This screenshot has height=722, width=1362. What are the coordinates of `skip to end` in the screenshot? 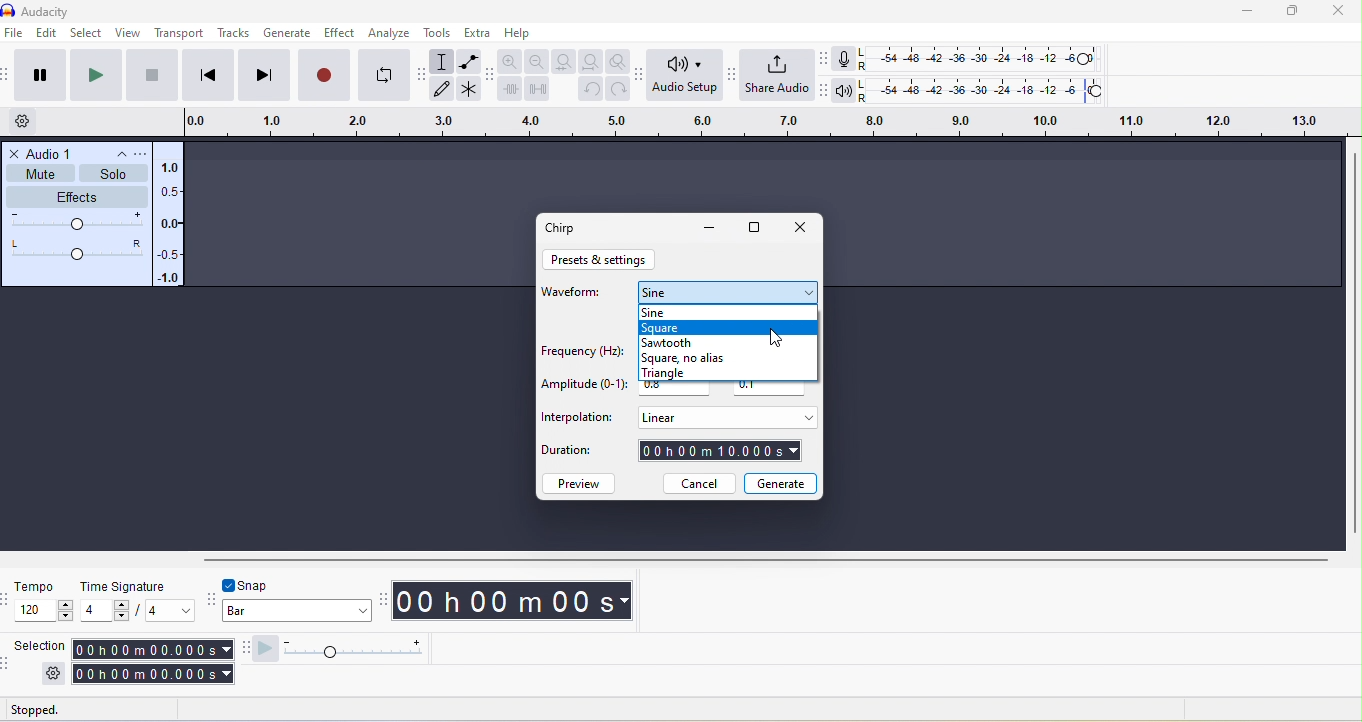 It's located at (263, 76).